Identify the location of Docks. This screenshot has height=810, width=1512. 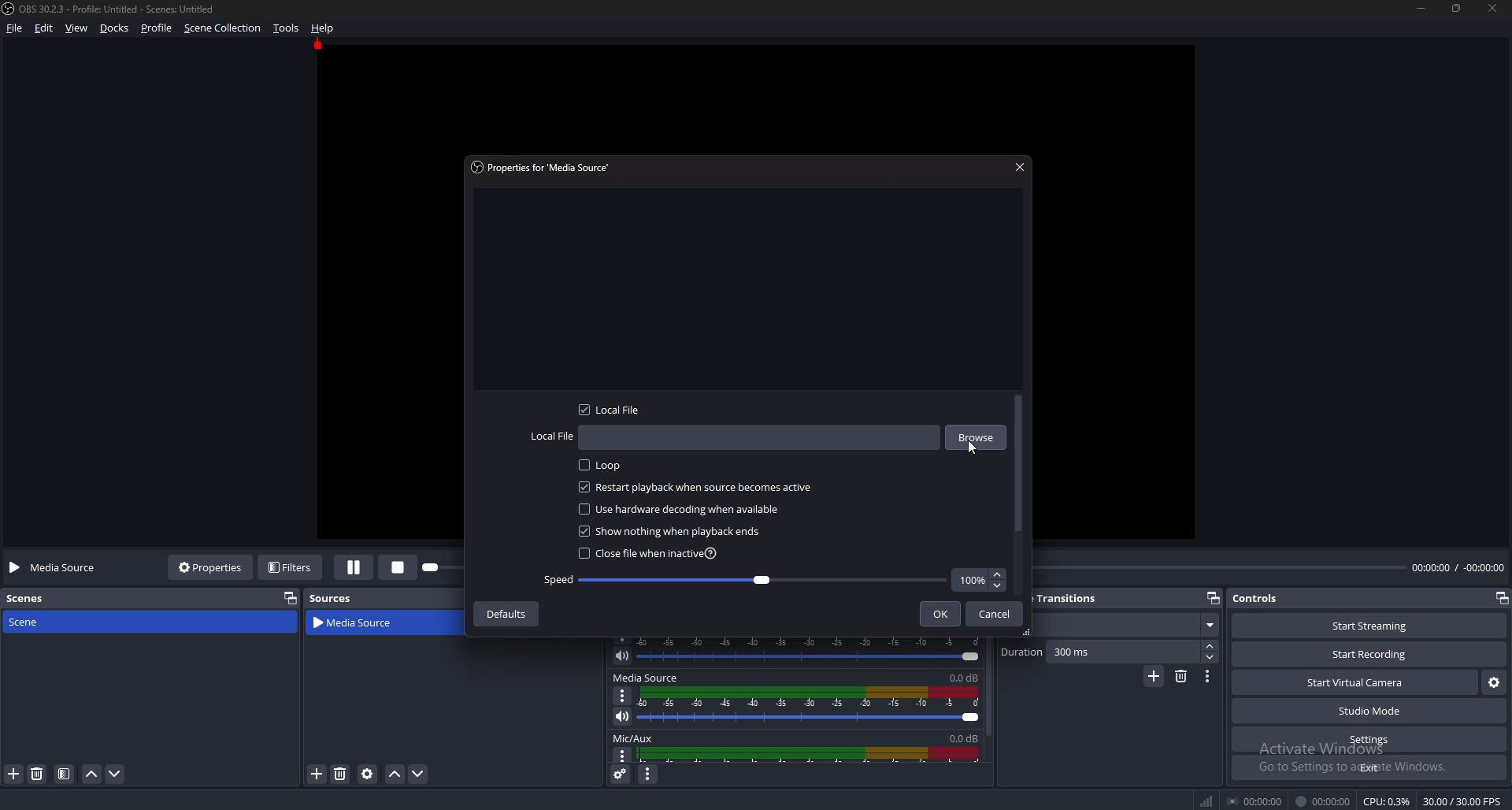
(117, 28).